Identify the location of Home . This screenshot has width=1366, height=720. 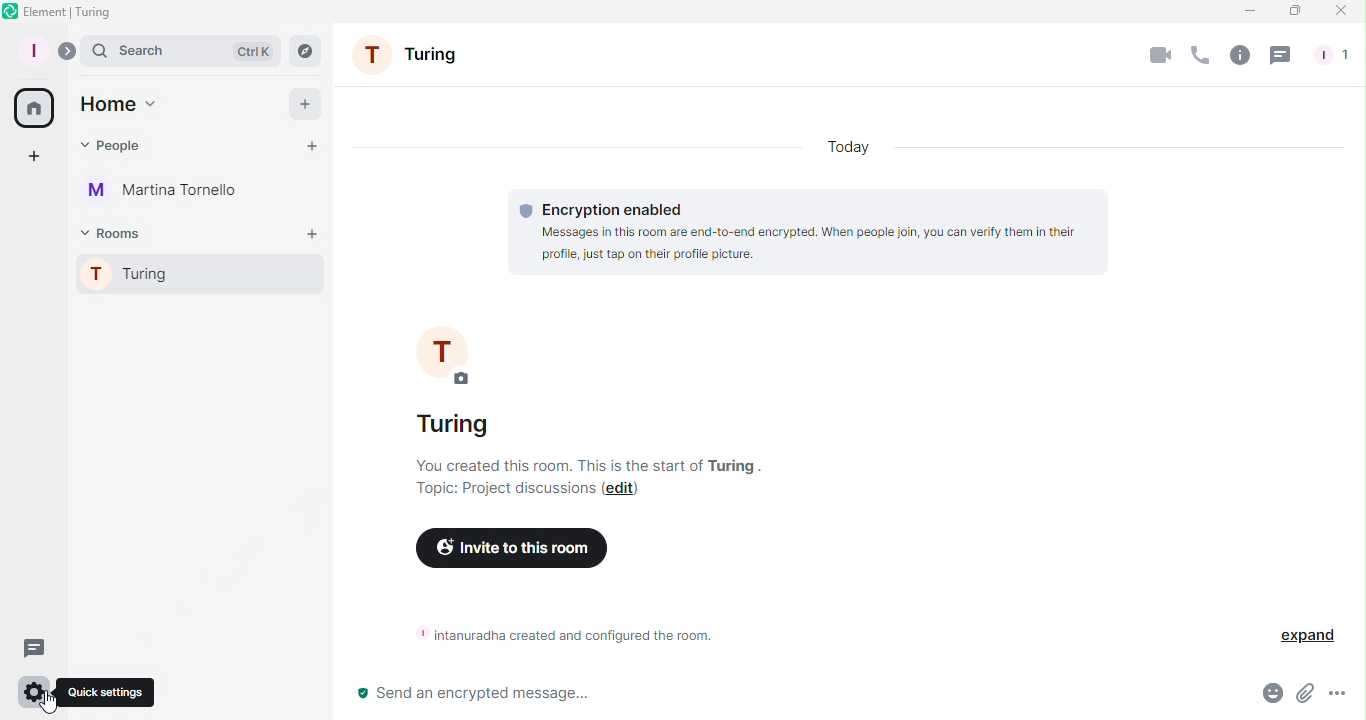
(126, 103).